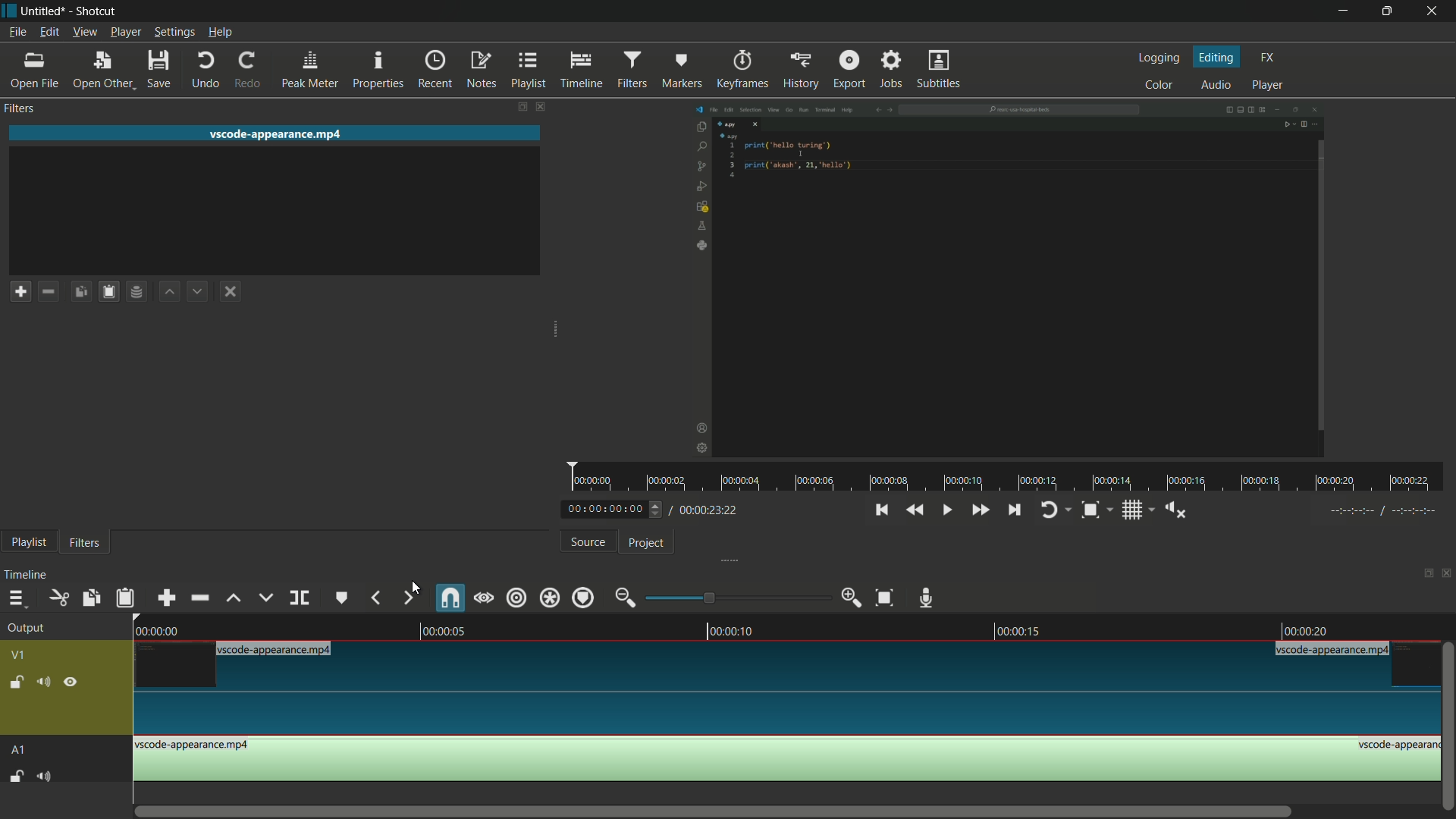  What do you see at coordinates (1385, 510) in the screenshot?
I see `in point` at bounding box center [1385, 510].